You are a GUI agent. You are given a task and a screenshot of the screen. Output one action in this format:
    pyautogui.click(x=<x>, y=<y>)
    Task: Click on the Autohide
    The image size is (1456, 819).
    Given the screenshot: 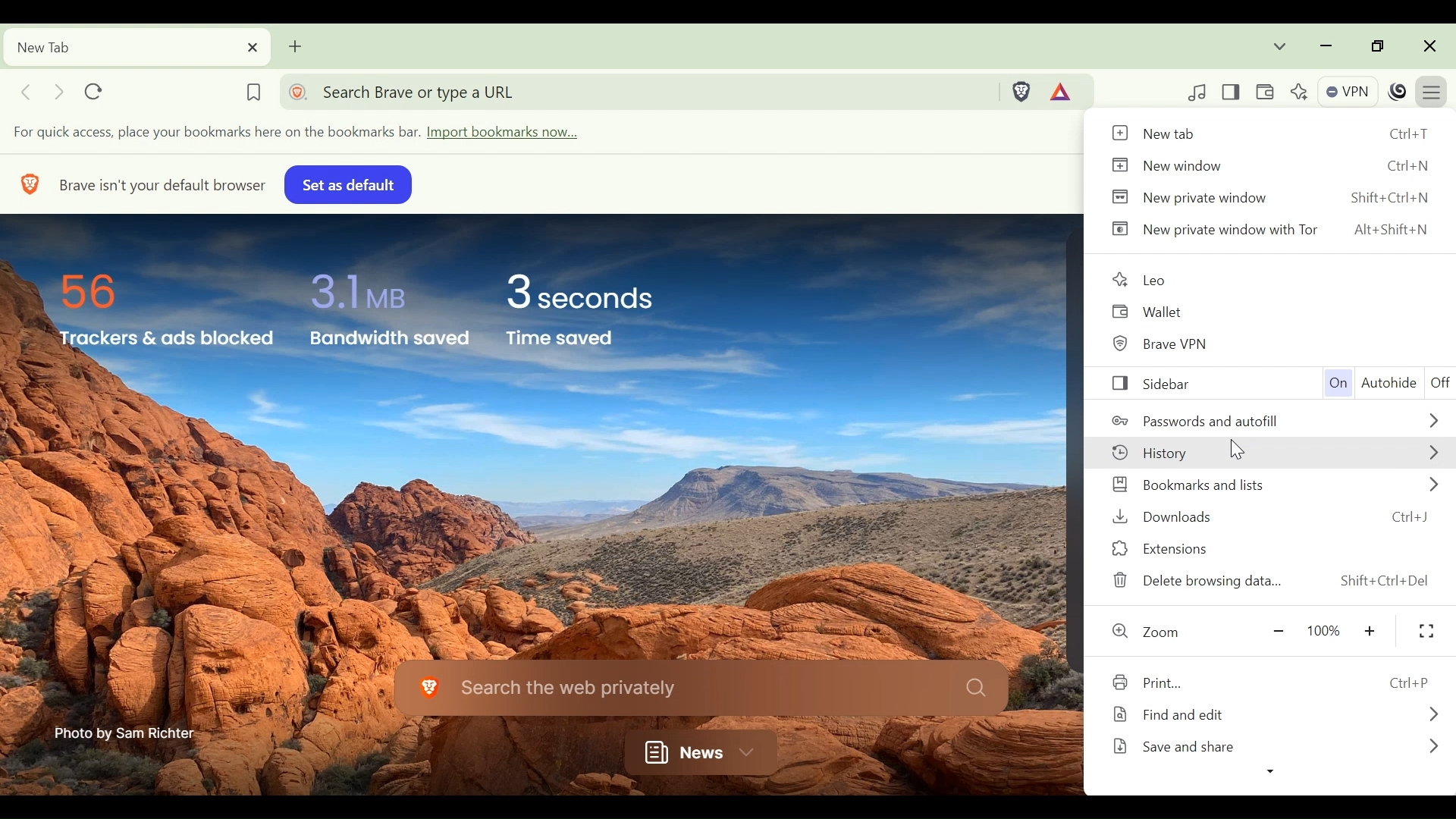 What is the action you would take?
    pyautogui.click(x=1389, y=384)
    